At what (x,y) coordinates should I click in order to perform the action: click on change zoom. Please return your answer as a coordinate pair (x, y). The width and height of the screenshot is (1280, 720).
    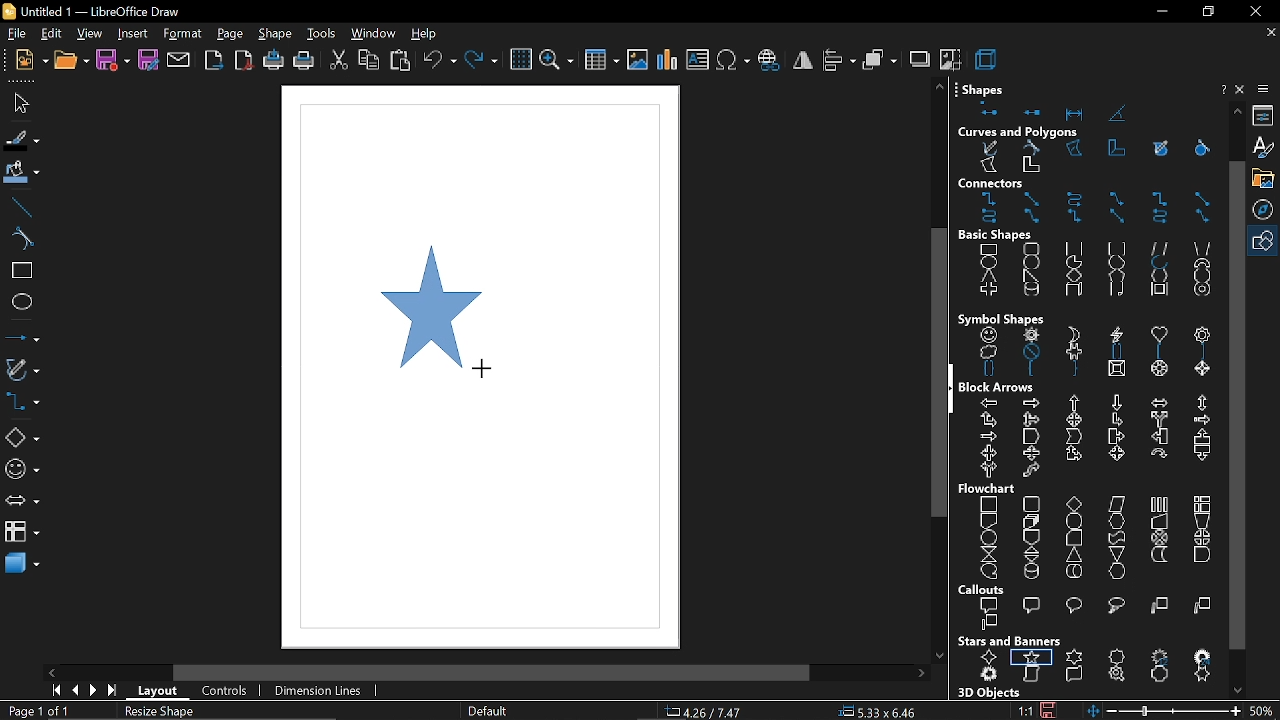
    Looking at the image, I should click on (1164, 712).